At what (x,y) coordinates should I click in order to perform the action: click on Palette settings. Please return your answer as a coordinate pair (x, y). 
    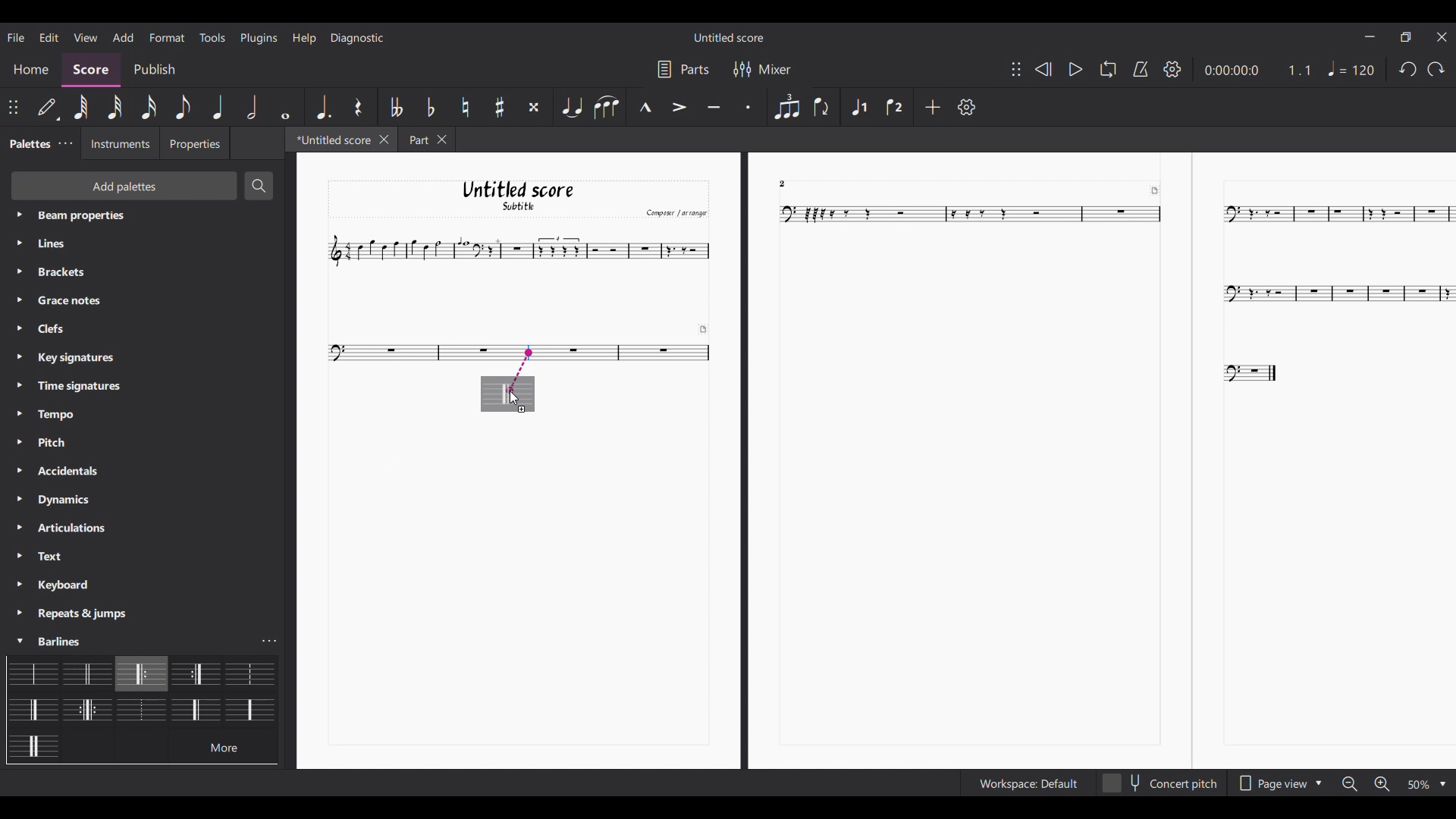
    Looking at the image, I should click on (82, 273).